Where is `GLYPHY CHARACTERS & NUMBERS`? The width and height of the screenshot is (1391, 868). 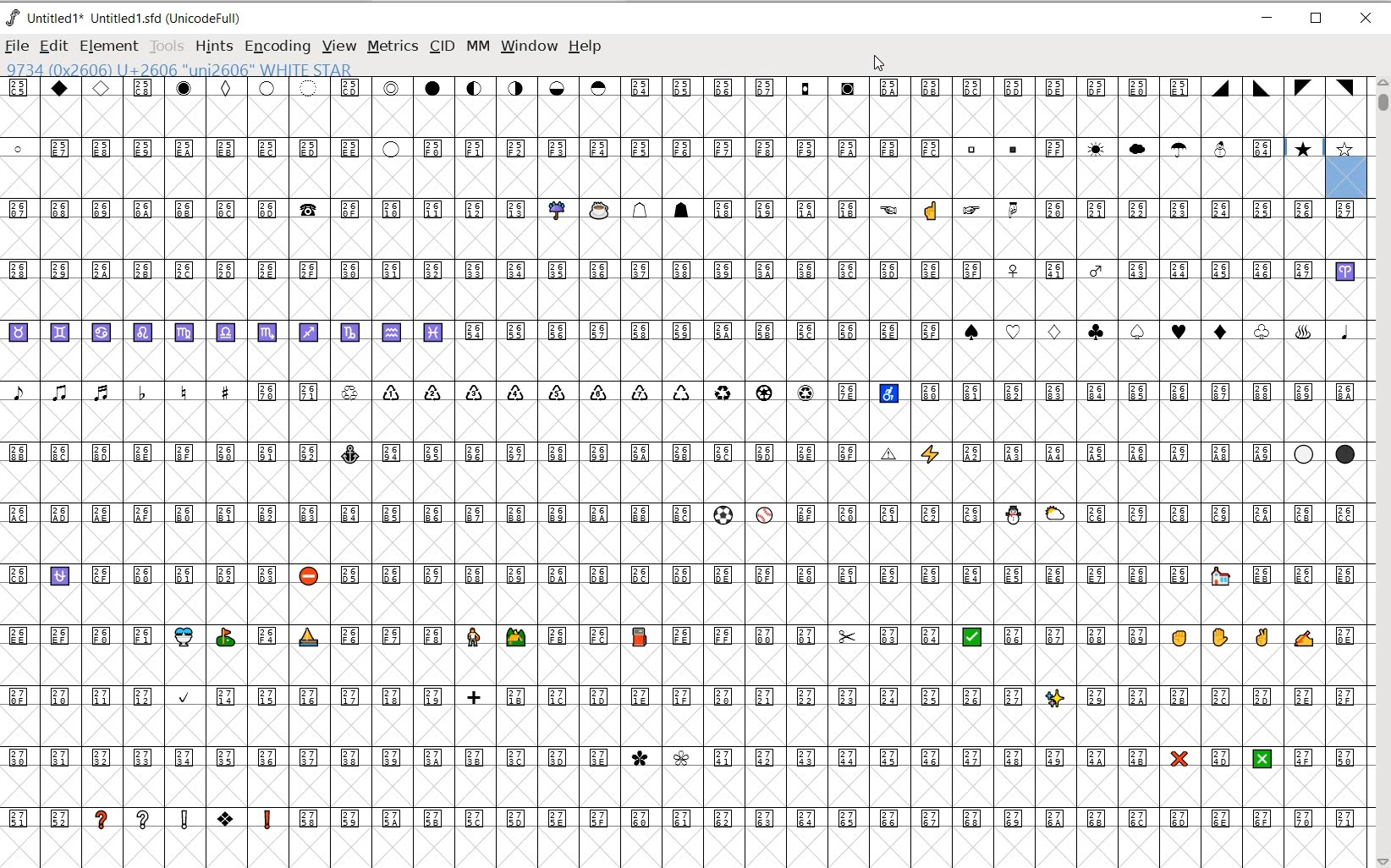
GLYPHY CHARACTERS & NUMBERS is located at coordinates (269, 610).